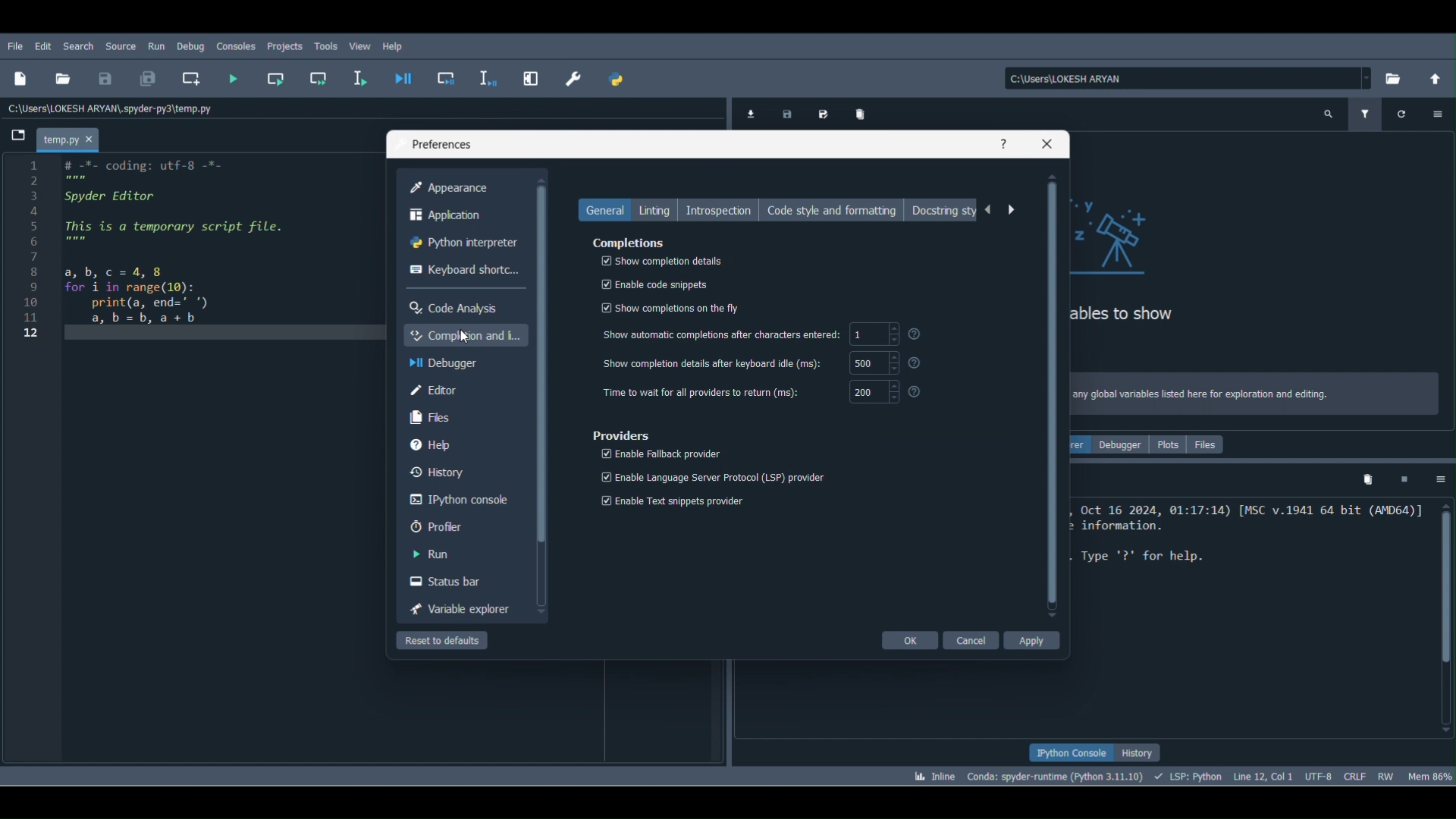 This screenshot has height=819, width=1456. What do you see at coordinates (907, 641) in the screenshot?
I see `Ok` at bounding box center [907, 641].